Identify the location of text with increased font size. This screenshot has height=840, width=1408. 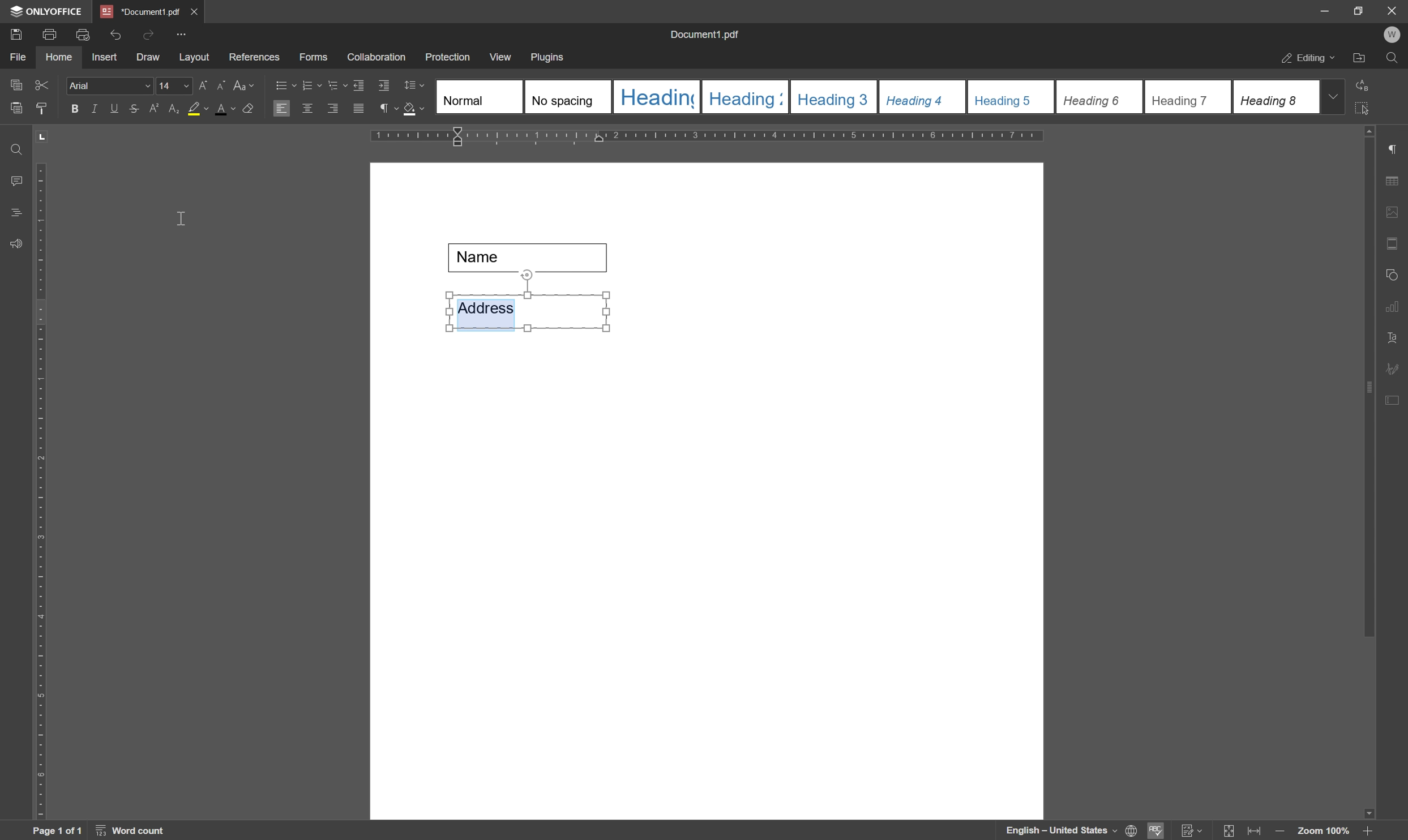
(487, 312).